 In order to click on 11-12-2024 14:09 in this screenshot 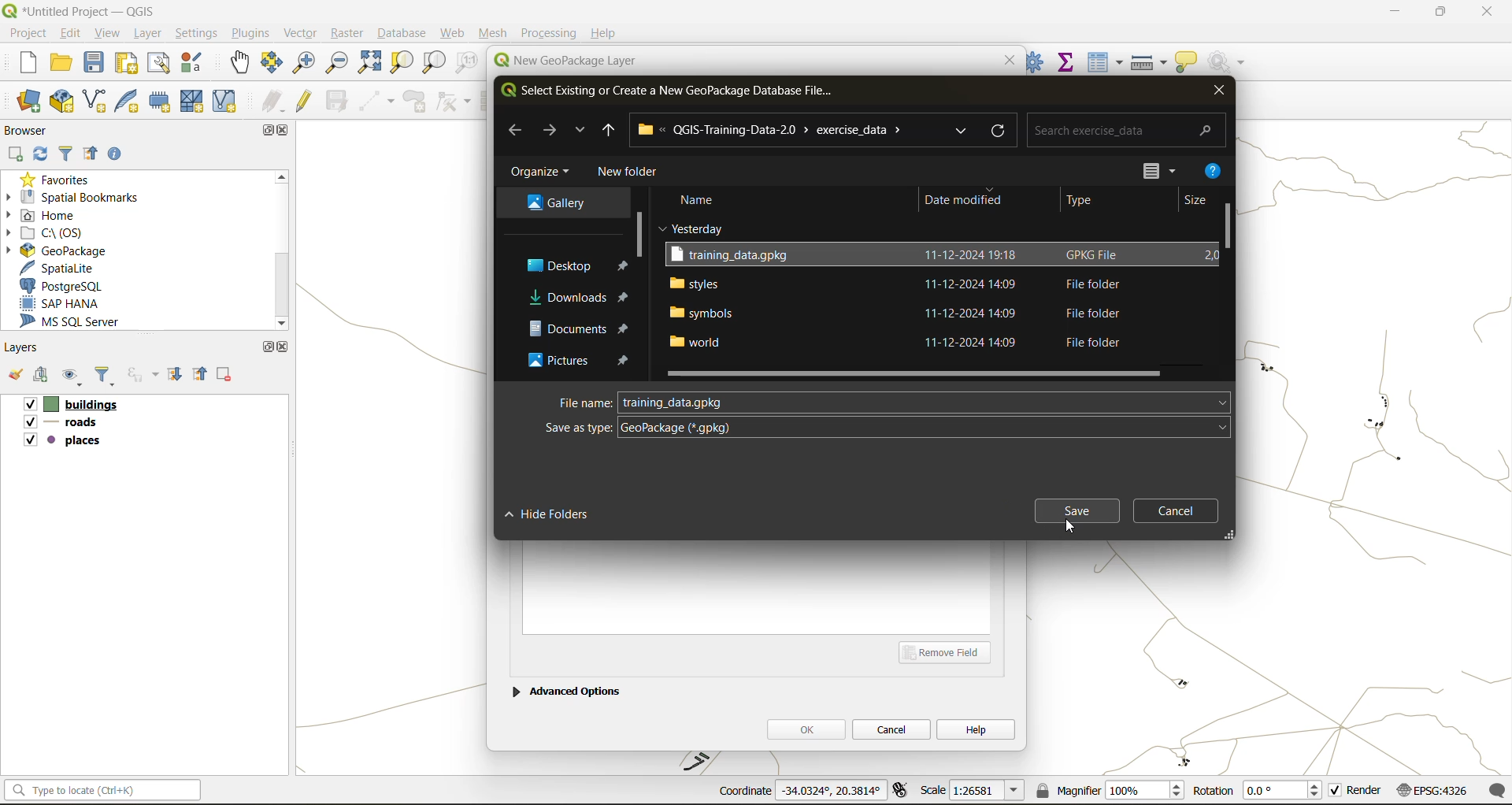, I will do `click(976, 312)`.